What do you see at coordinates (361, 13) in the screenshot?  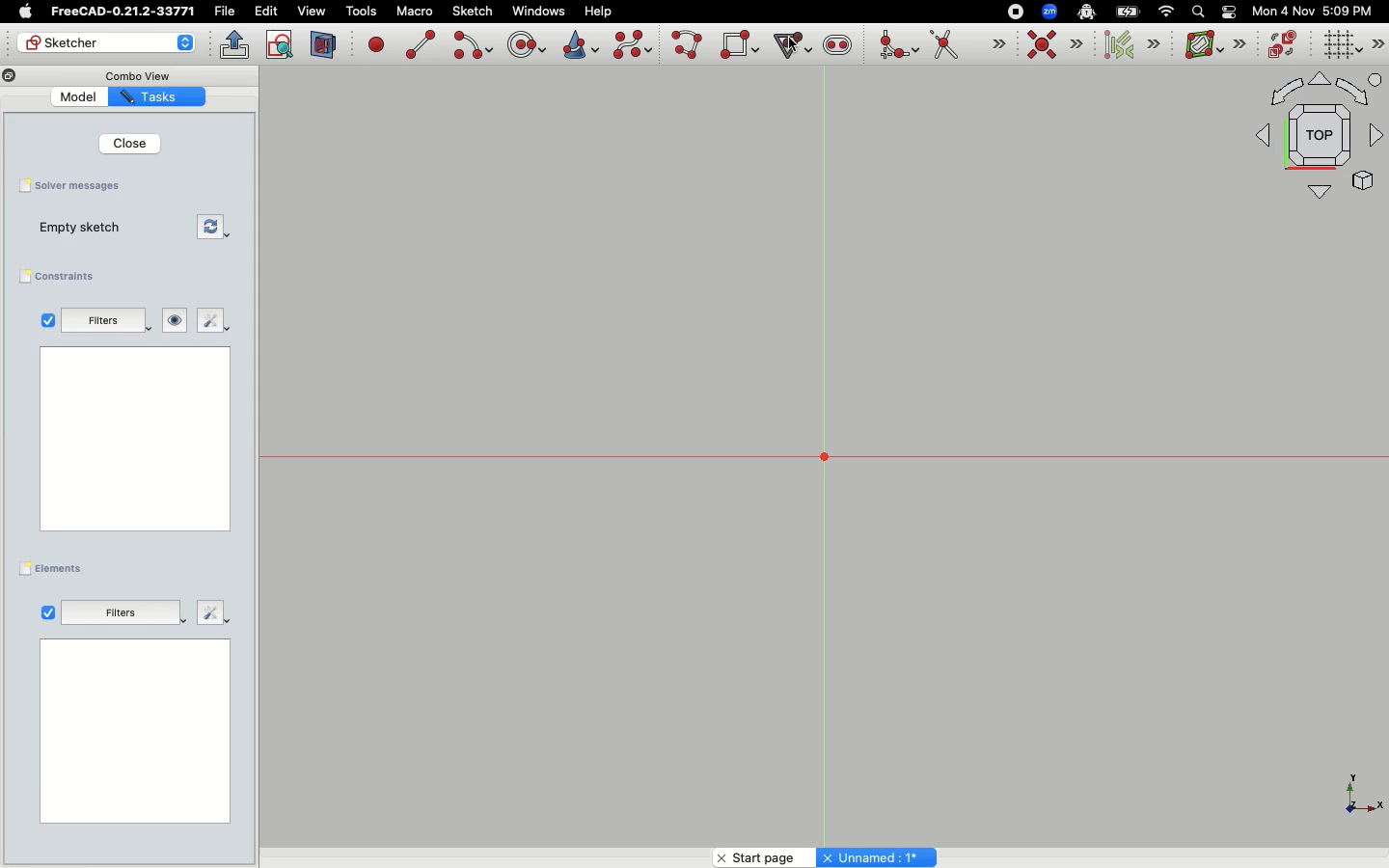 I see `Tools` at bounding box center [361, 13].